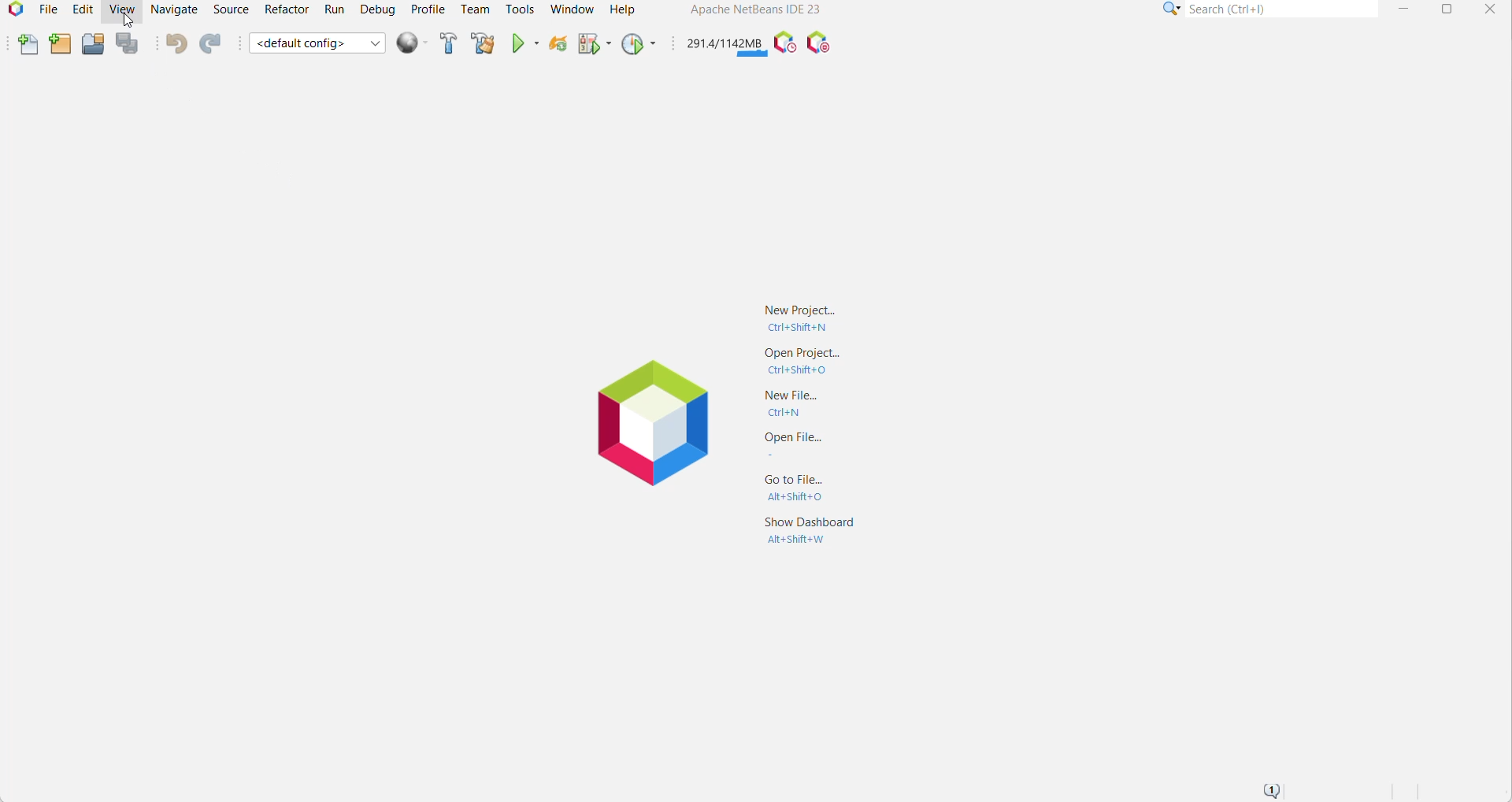 This screenshot has width=1512, height=802. I want to click on Reload, so click(556, 46).